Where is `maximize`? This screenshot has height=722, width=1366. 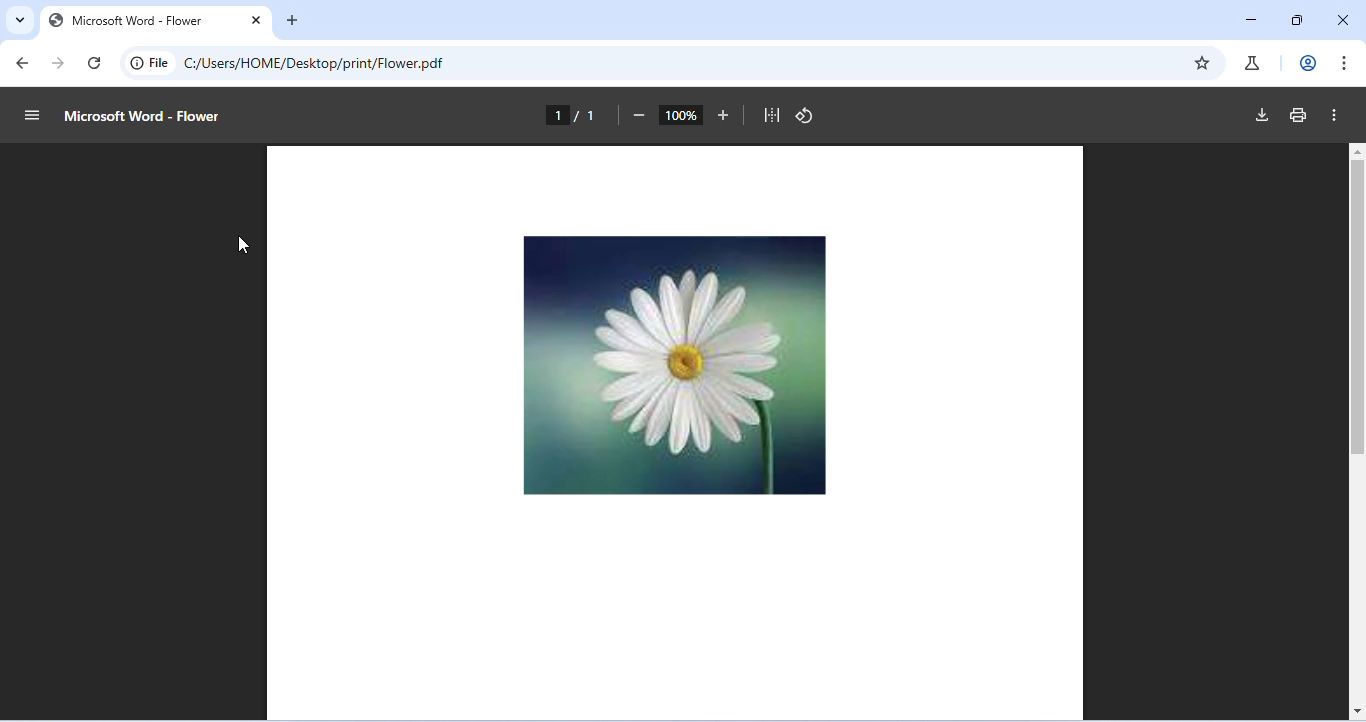 maximize is located at coordinates (1297, 19).